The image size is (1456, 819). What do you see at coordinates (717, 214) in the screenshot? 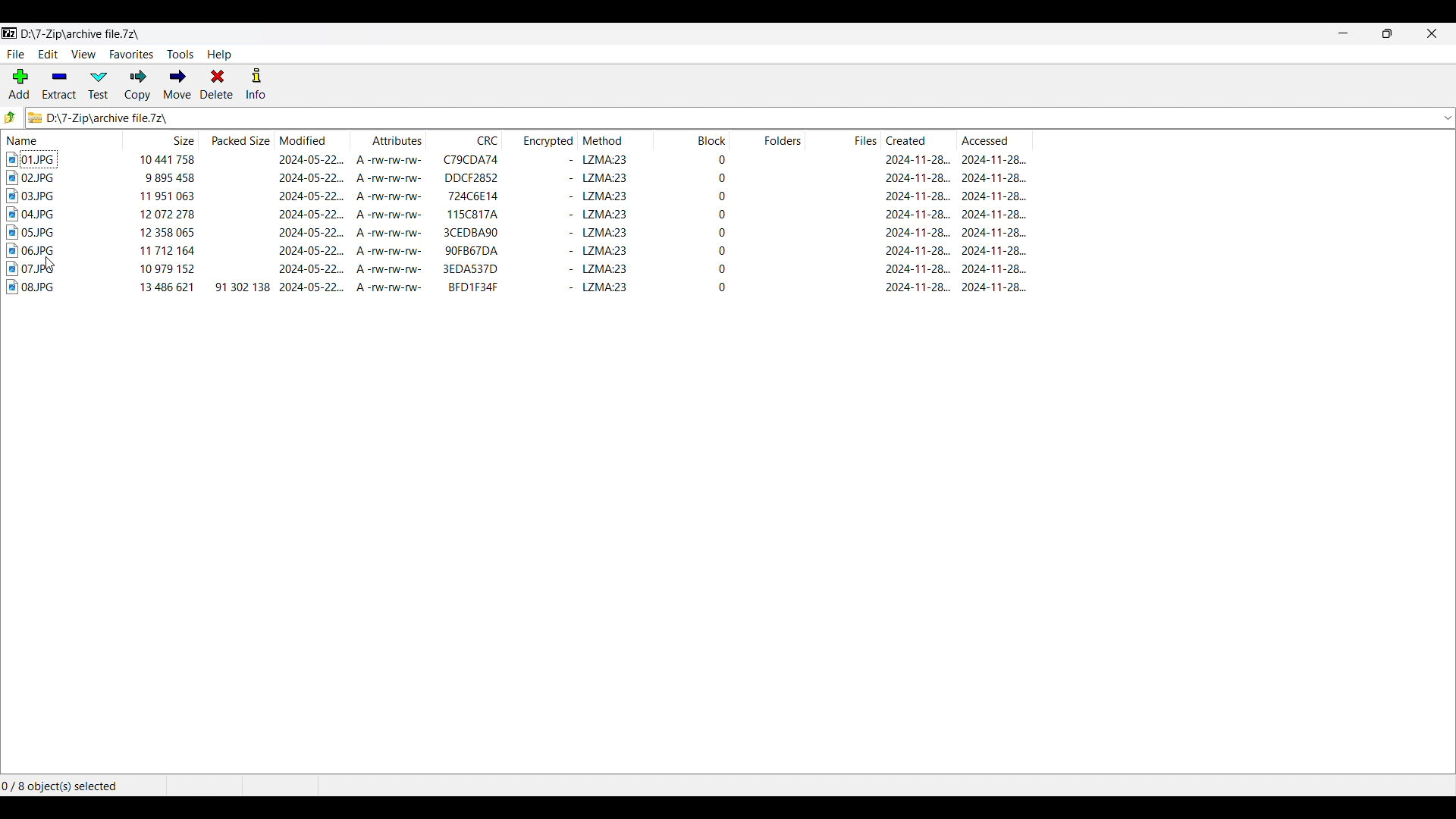
I see `block start` at bounding box center [717, 214].